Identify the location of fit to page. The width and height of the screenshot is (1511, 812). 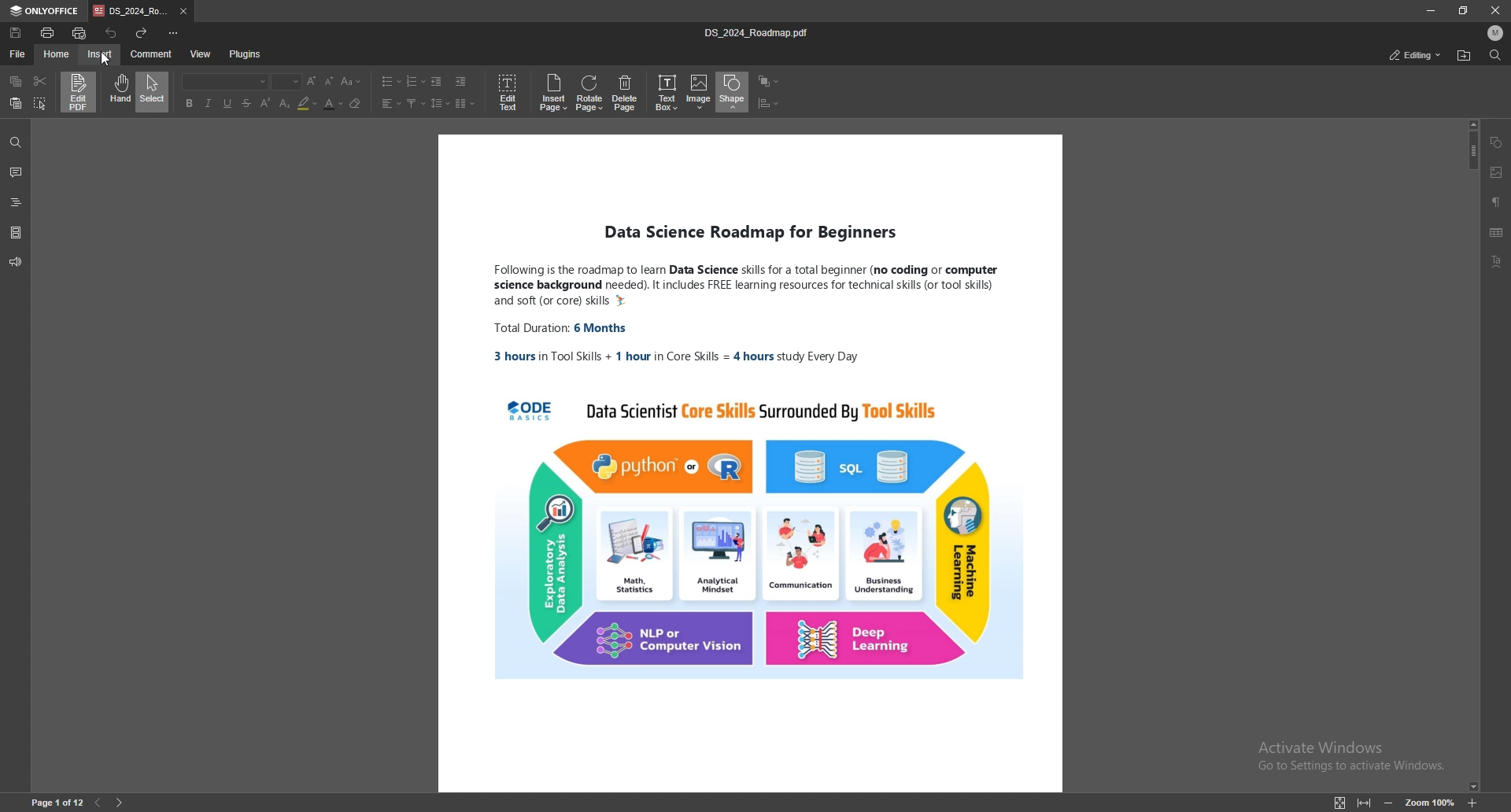
(1339, 803).